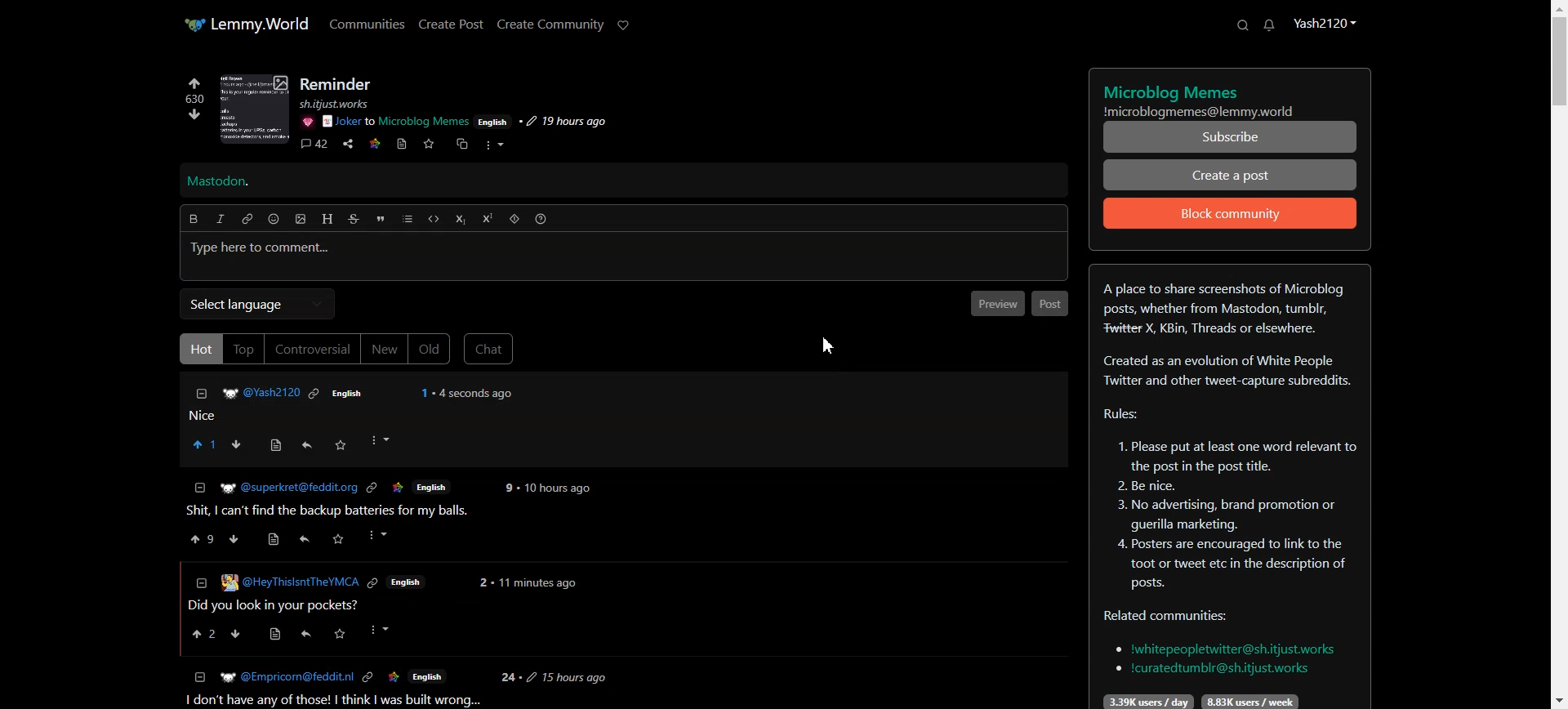  Describe the element at coordinates (428, 144) in the screenshot. I see `Save` at that location.